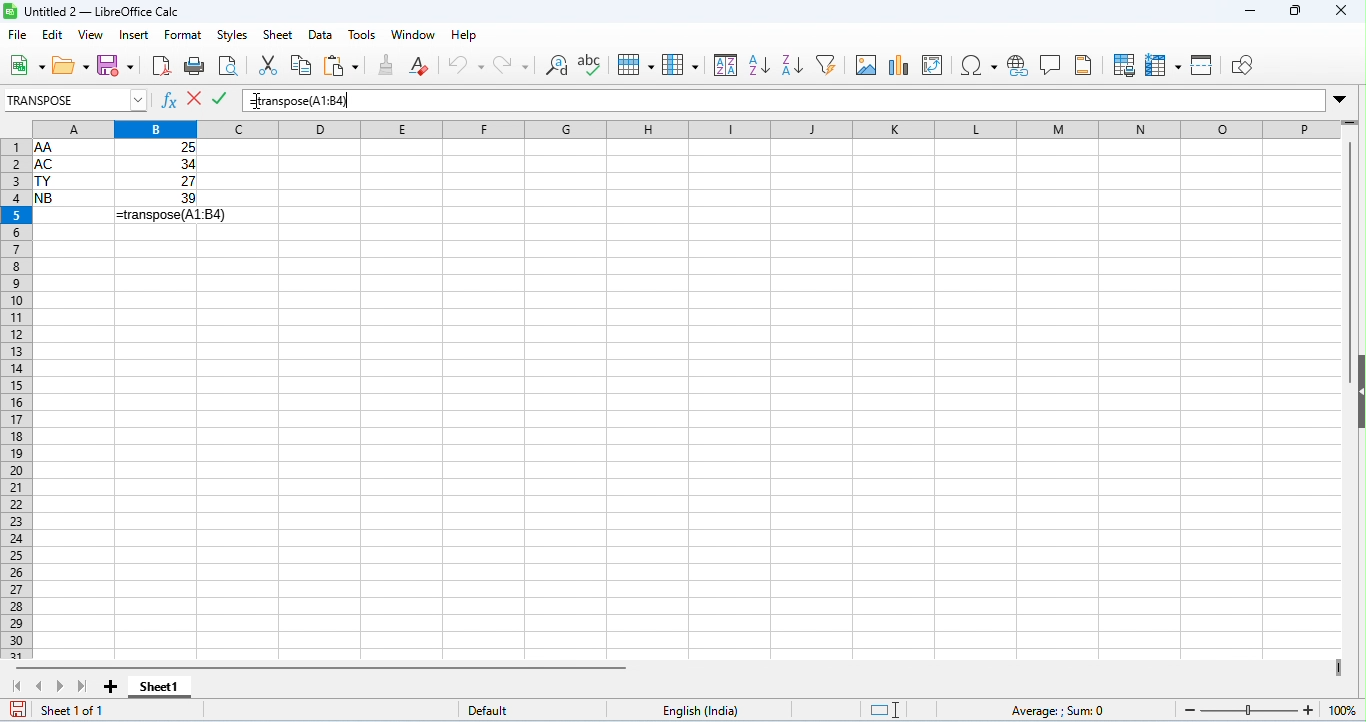 The width and height of the screenshot is (1366, 722). Describe the element at coordinates (887, 710) in the screenshot. I see `standard selection` at that location.